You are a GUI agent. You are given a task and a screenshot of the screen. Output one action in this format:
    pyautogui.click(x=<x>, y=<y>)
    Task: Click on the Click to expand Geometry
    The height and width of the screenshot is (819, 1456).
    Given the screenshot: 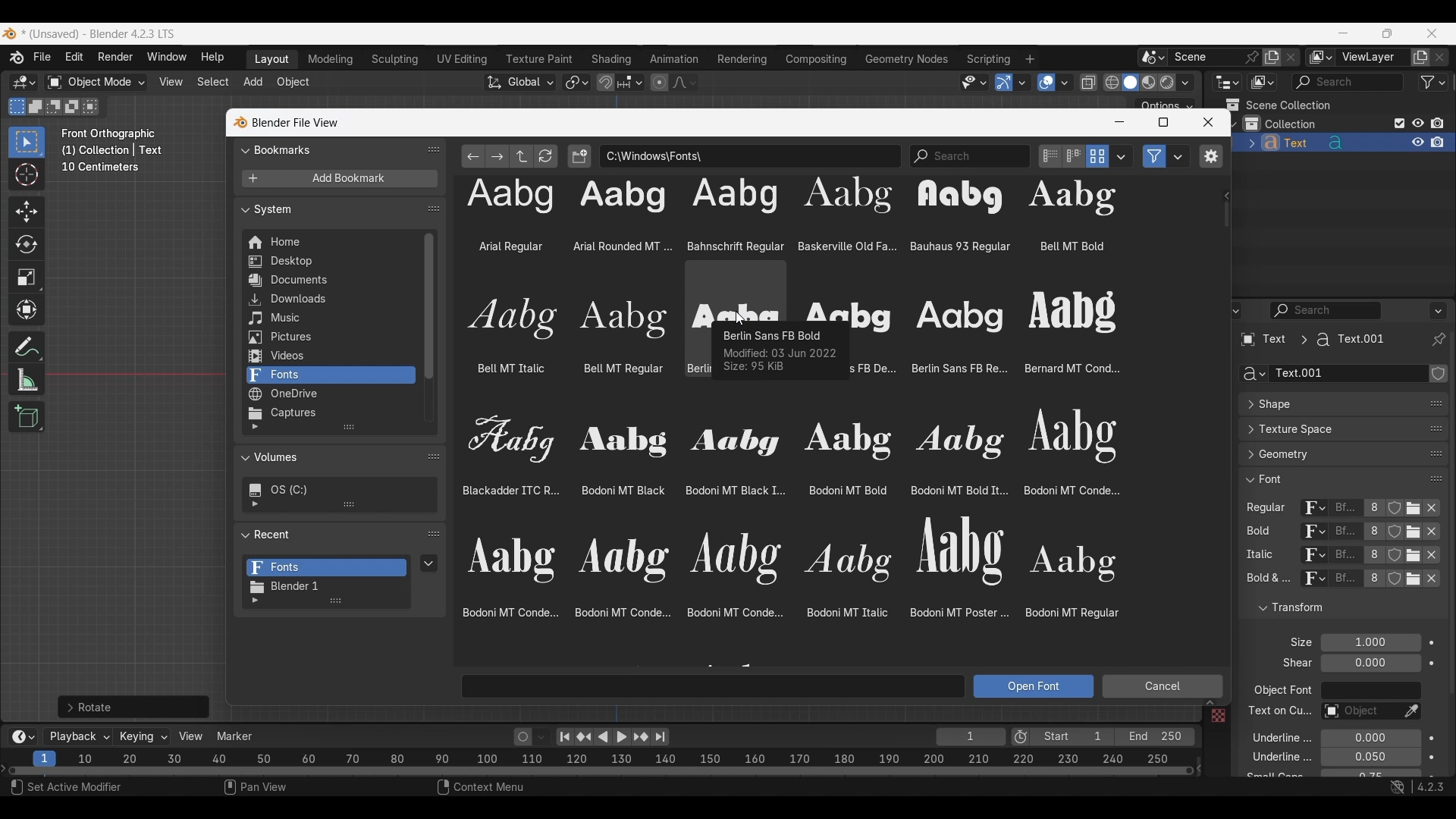 What is the action you would take?
    pyautogui.click(x=1328, y=454)
    